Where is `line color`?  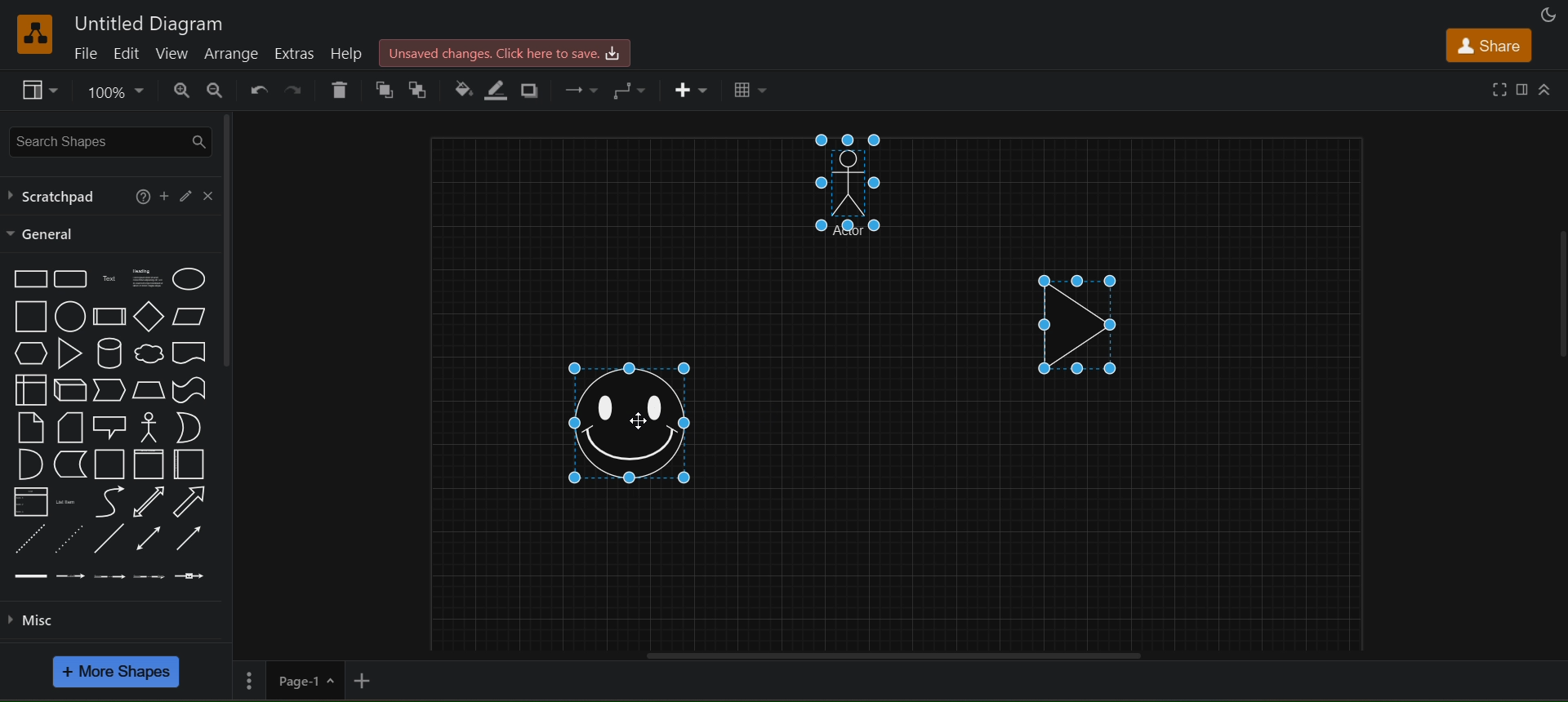
line color is located at coordinates (501, 91).